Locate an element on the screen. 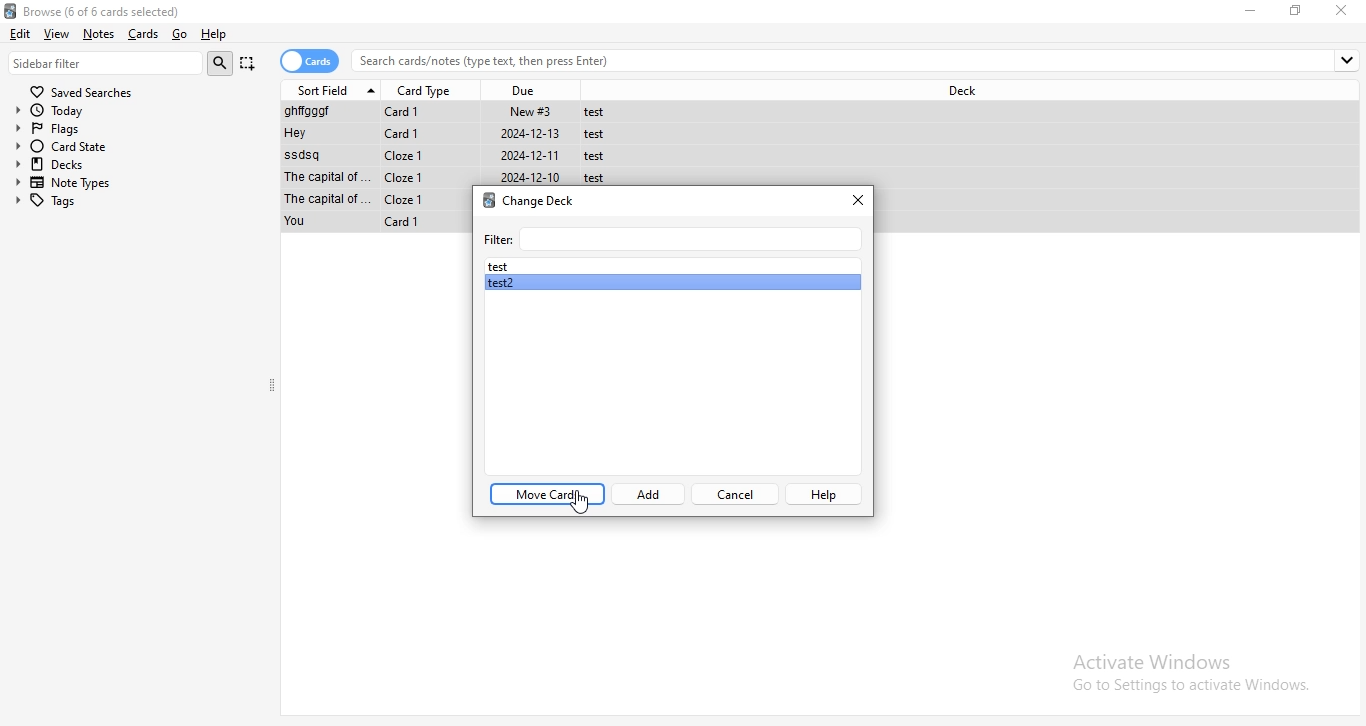 Image resolution: width=1366 pixels, height=726 pixels. Cursor is located at coordinates (580, 503).